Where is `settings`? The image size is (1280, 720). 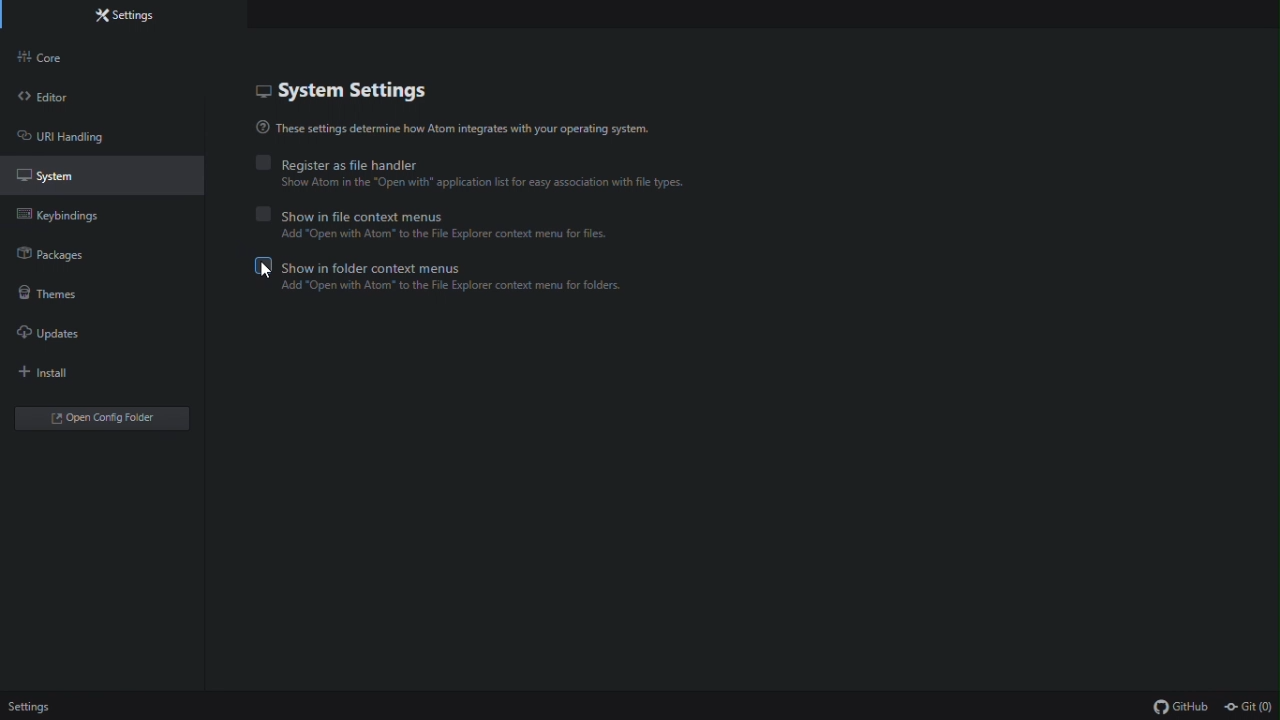 settings is located at coordinates (28, 708).